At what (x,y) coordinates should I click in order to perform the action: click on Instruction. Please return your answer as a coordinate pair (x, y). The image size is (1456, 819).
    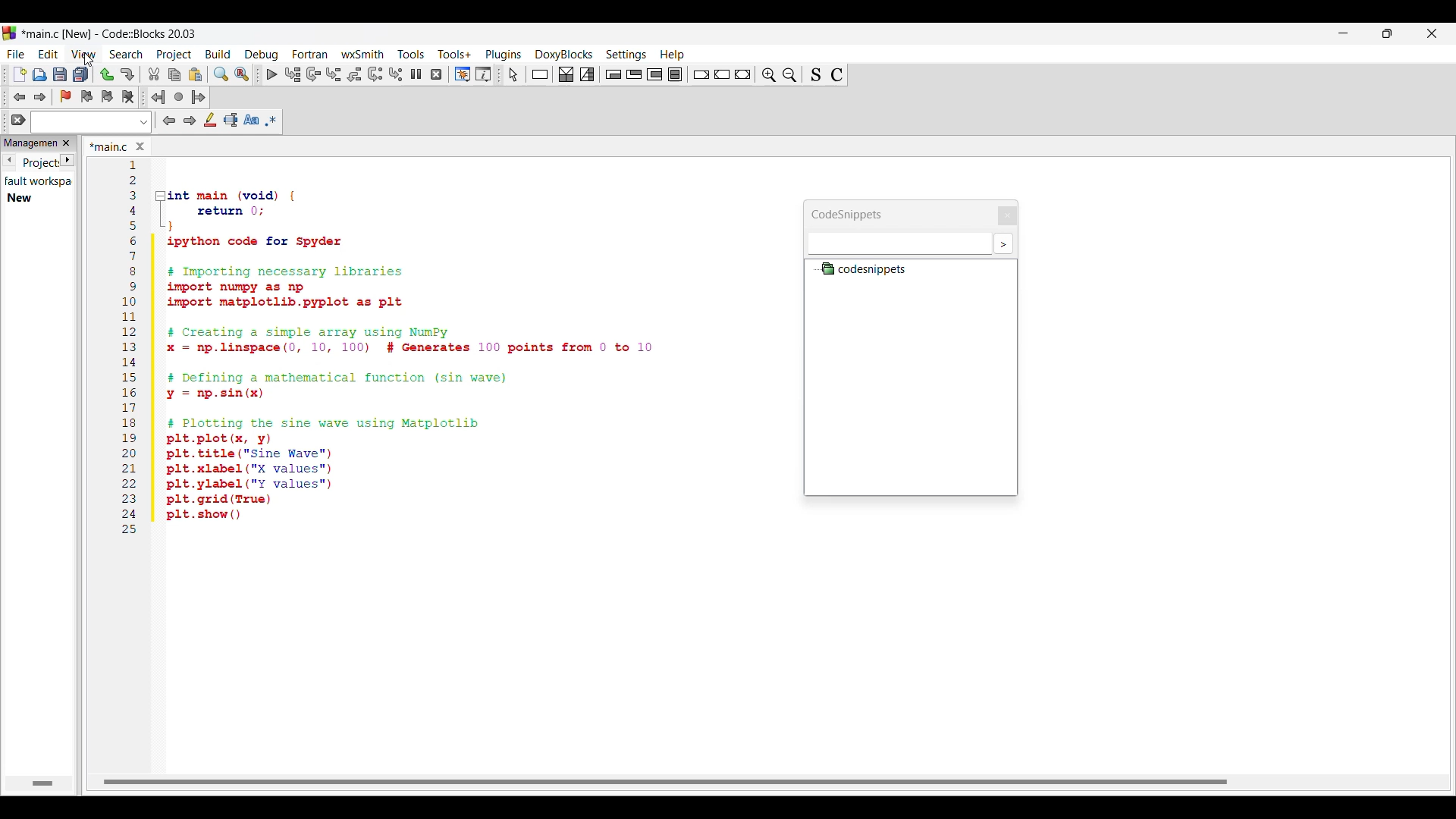
    Looking at the image, I should click on (540, 74).